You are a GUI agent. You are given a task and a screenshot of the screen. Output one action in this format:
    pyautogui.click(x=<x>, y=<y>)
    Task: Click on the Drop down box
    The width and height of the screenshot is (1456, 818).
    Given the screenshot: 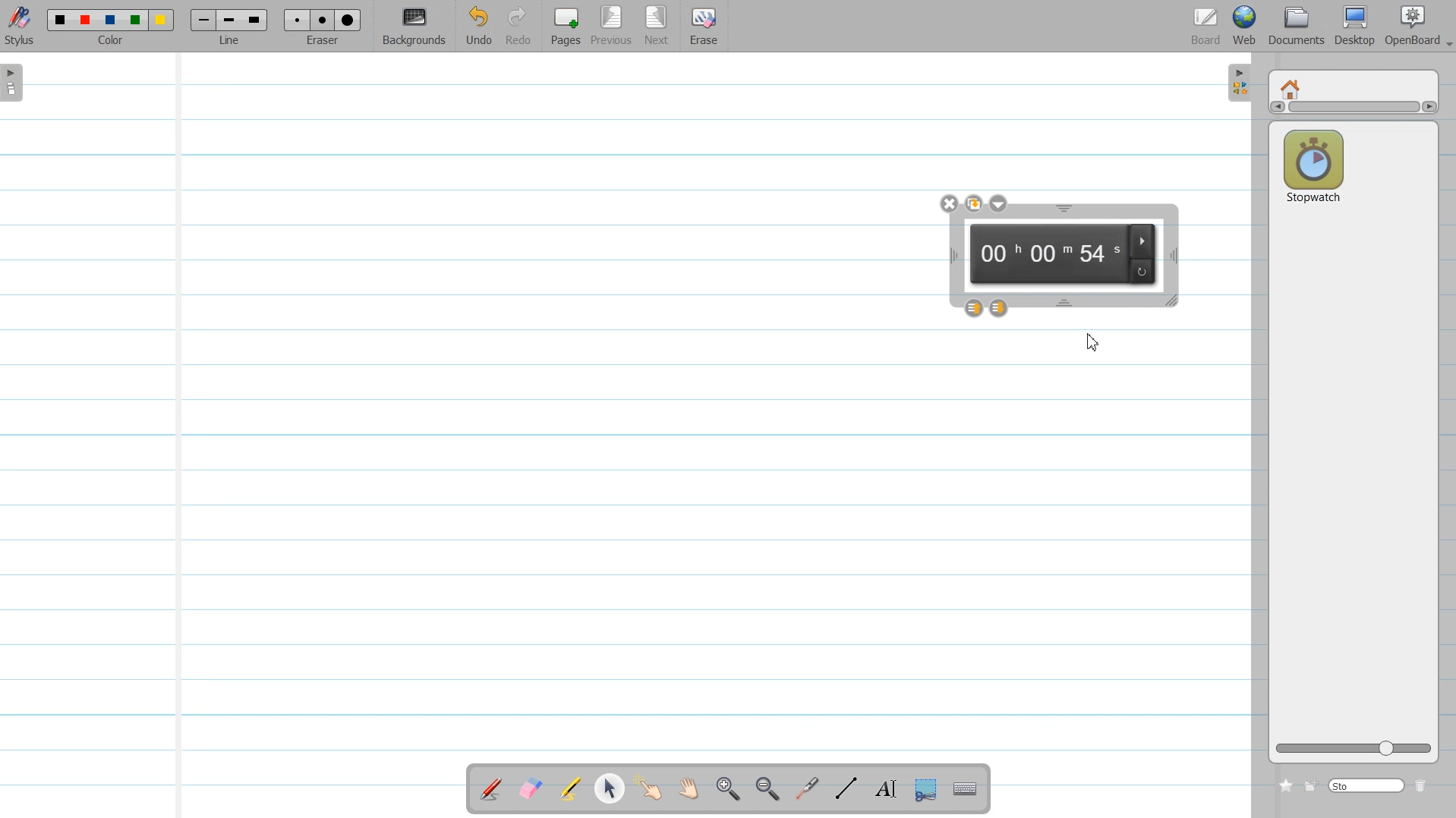 What is the action you would take?
    pyautogui.click(x=999, y=203)
    